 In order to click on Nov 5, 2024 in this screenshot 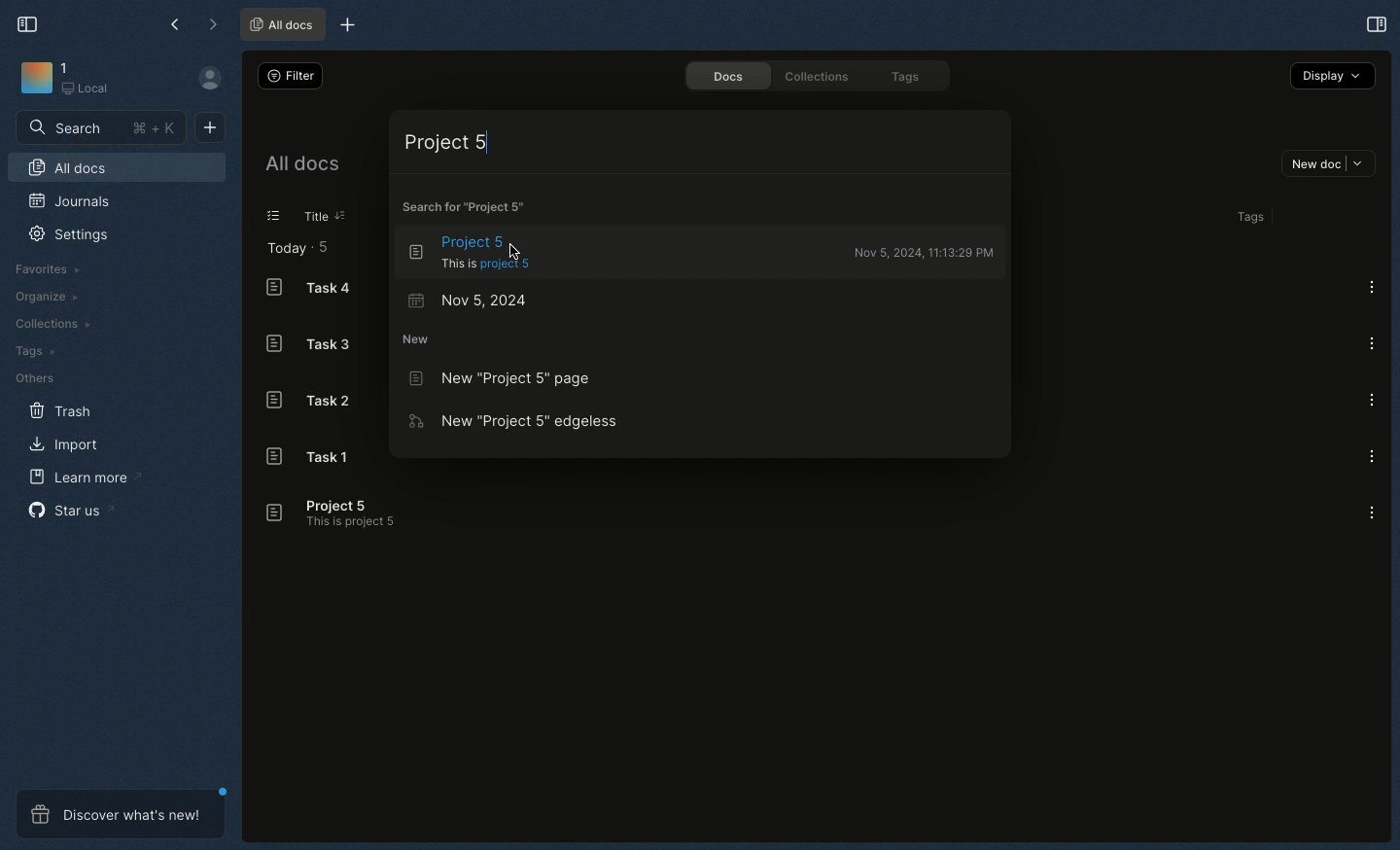, I will do `click(471, 303)`.